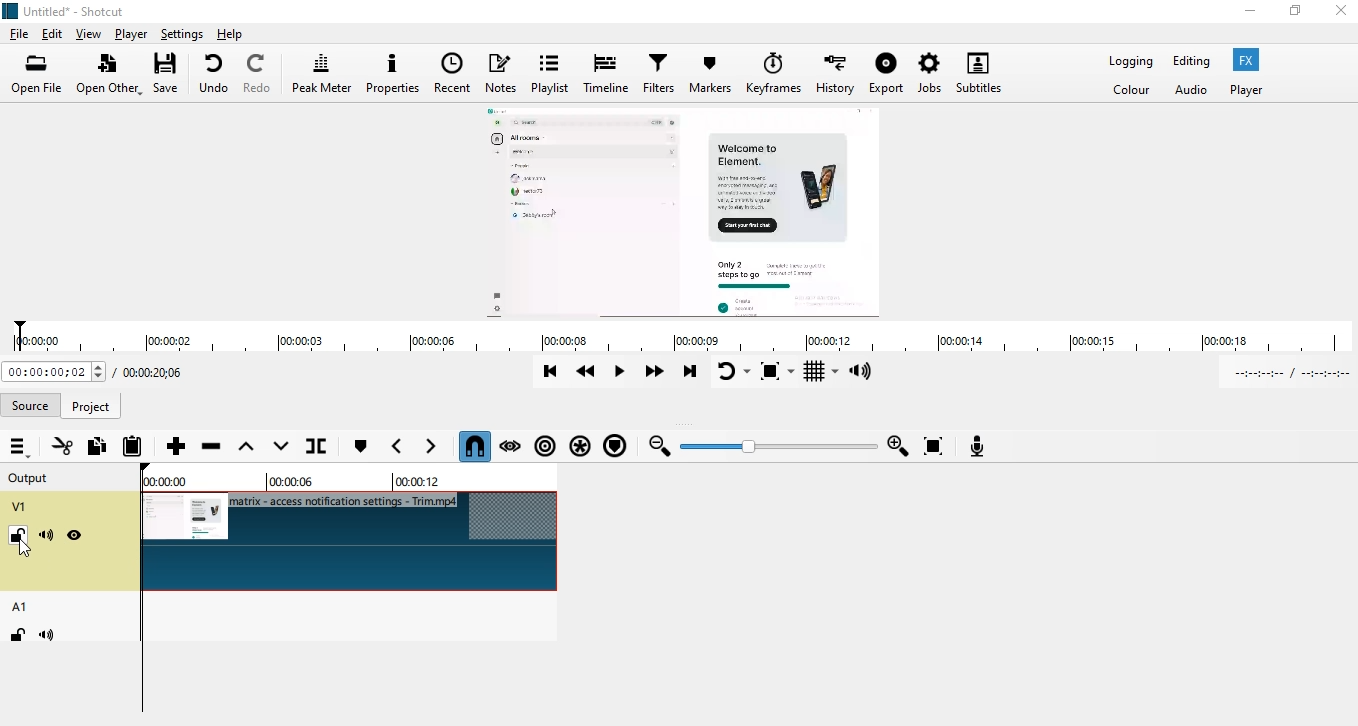  What do you see at coordinates (170, 74) in the screenshot?
I see `save` at bounding box center [170, 74].